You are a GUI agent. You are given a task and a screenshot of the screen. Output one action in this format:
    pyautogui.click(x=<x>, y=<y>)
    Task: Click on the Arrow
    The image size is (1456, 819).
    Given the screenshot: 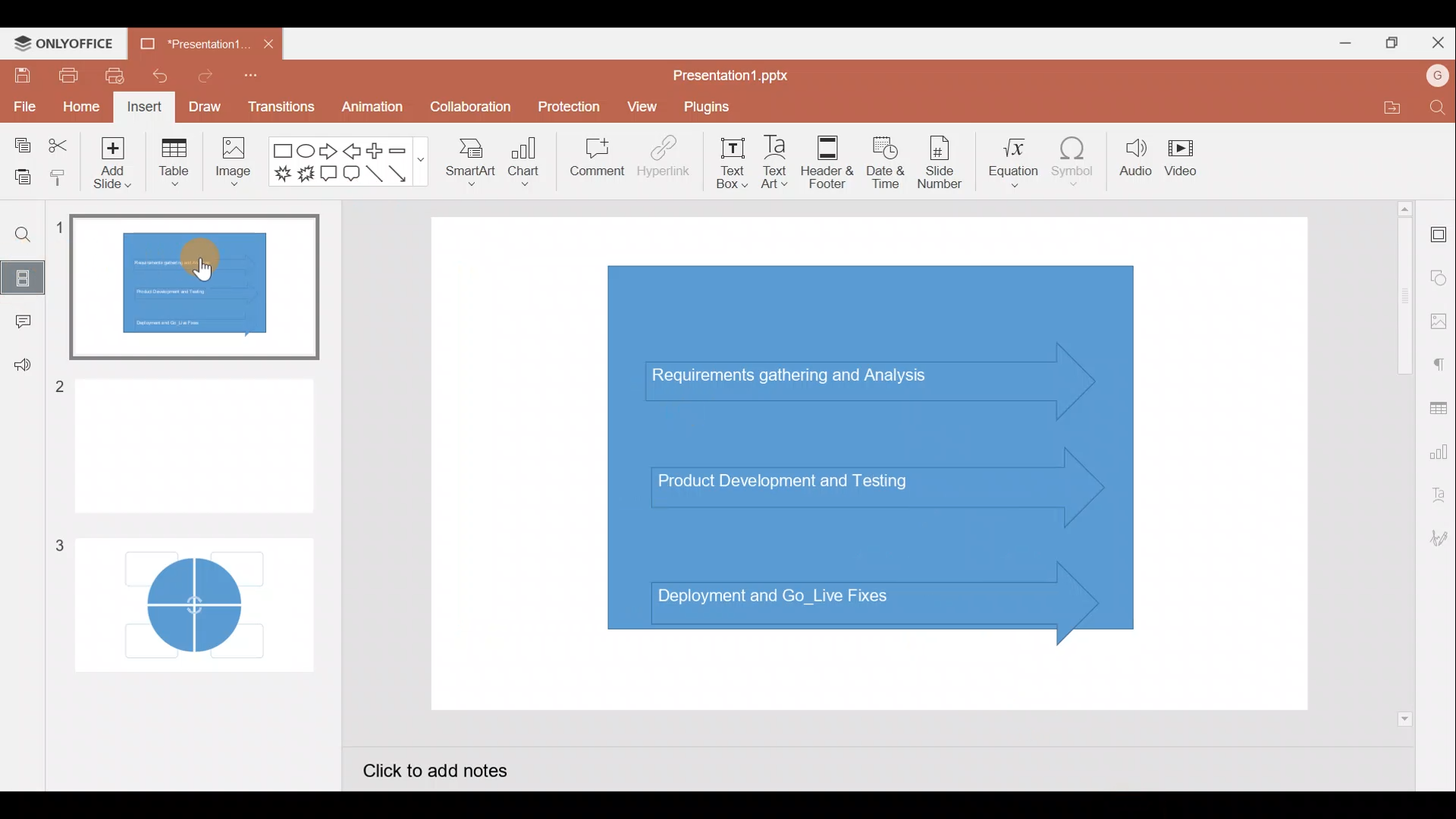 What is the action you would take?
    pyautogui.click(x=401, y=174)
    